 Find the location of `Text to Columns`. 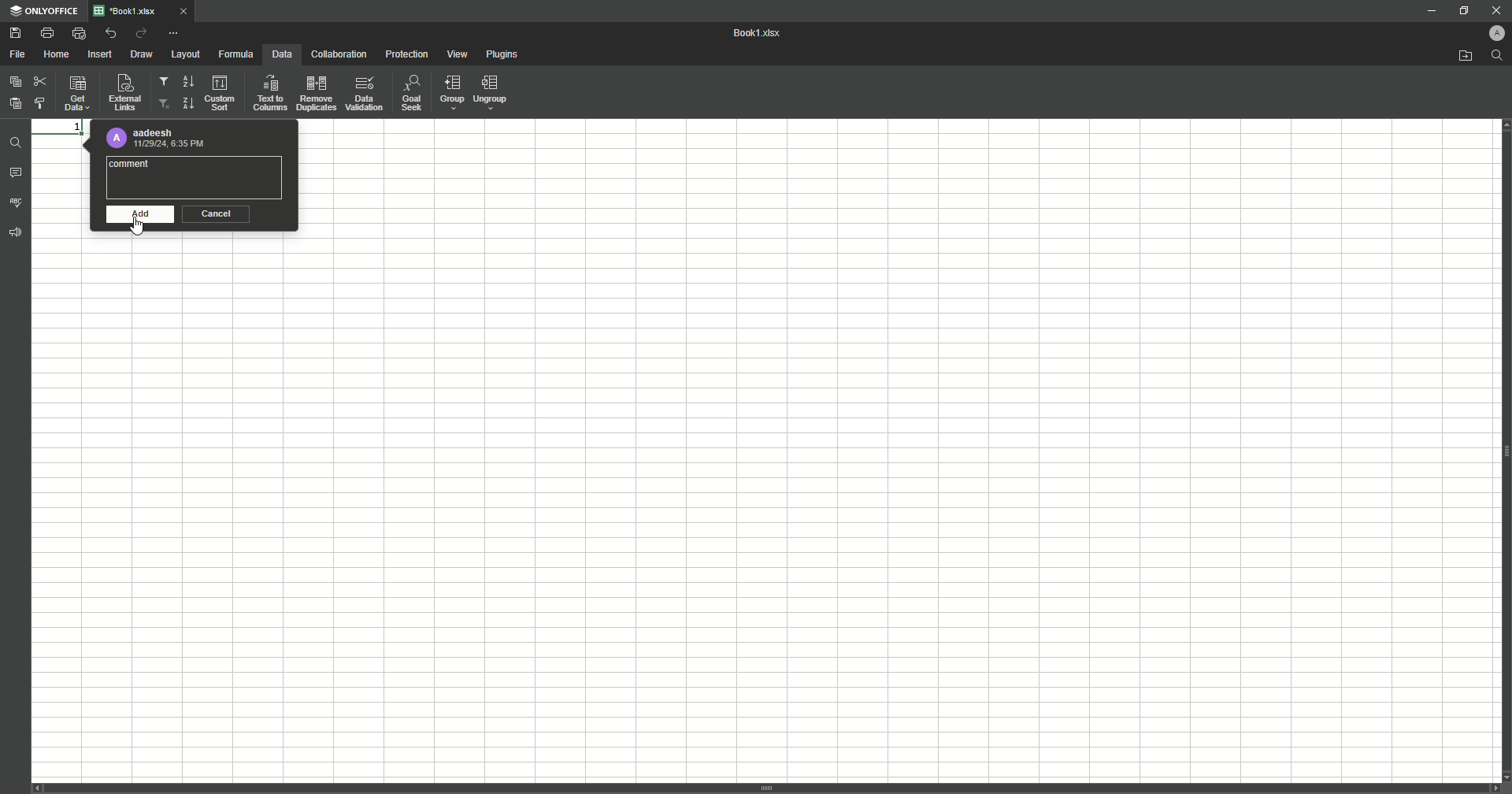

Text to Columns is located at coordinates (269, 93).